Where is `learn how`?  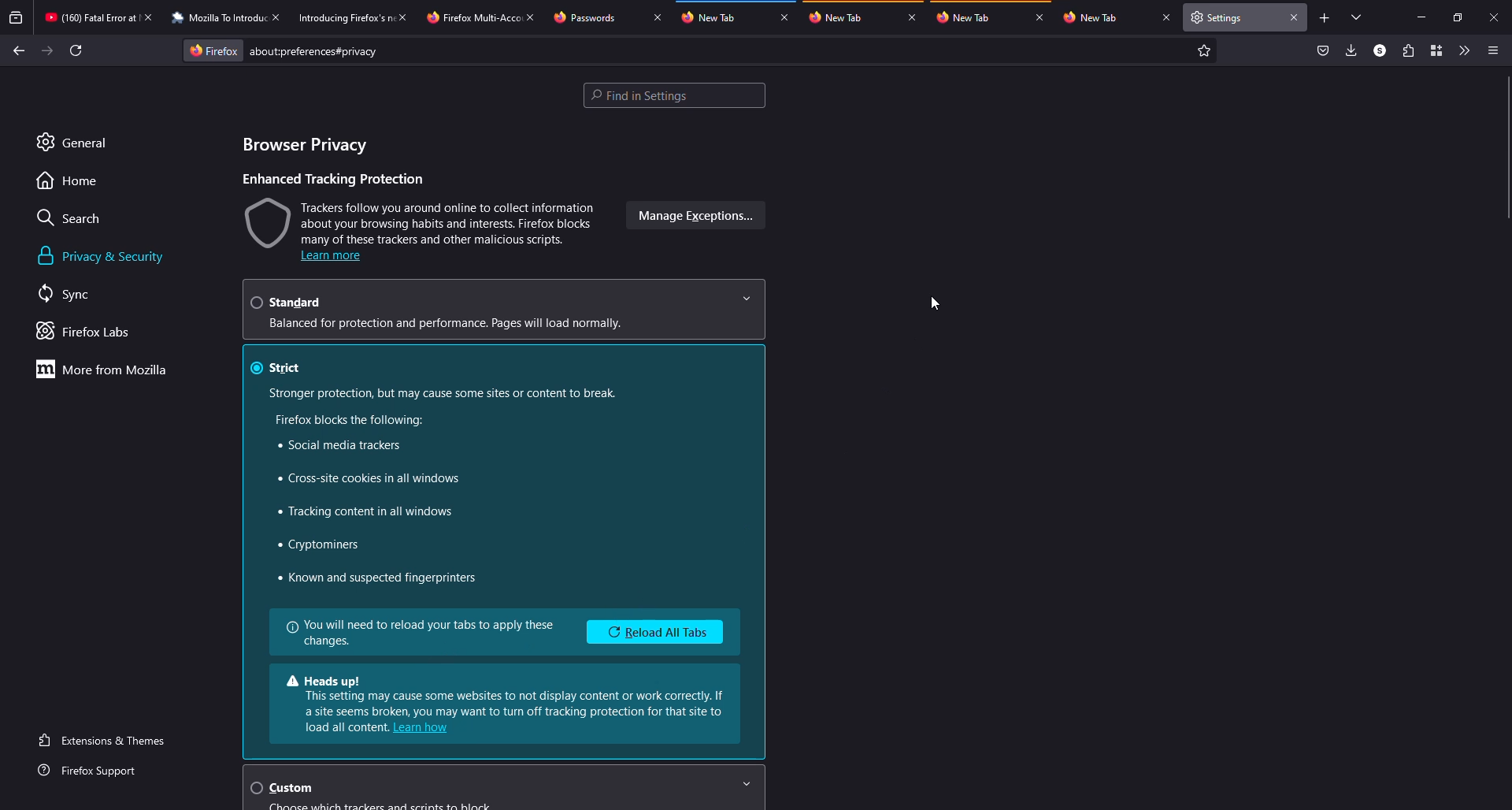 learn how is located at coordinates (427, 728).